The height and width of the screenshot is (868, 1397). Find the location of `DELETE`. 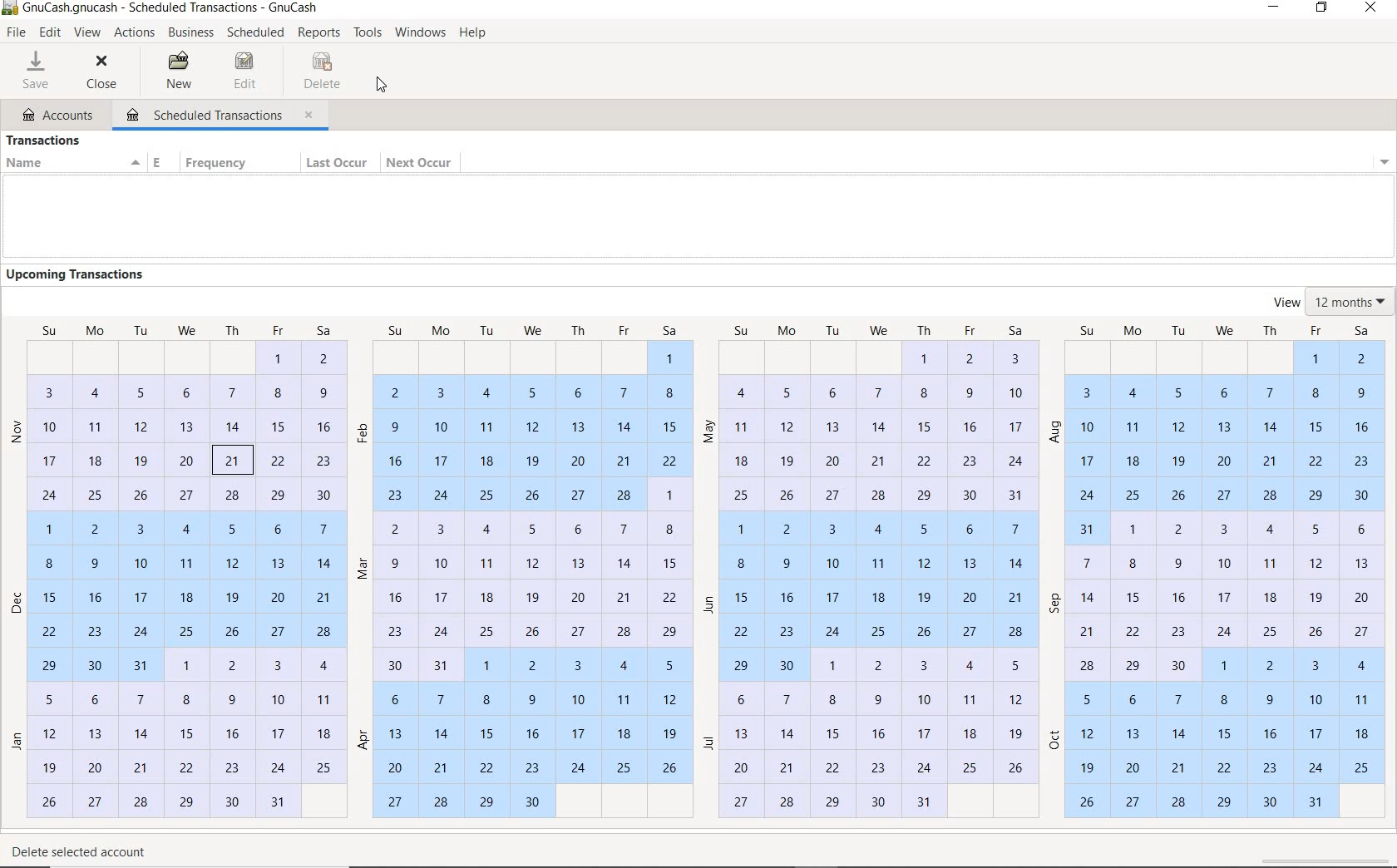

DELETE is located at coordinates (320, 74).